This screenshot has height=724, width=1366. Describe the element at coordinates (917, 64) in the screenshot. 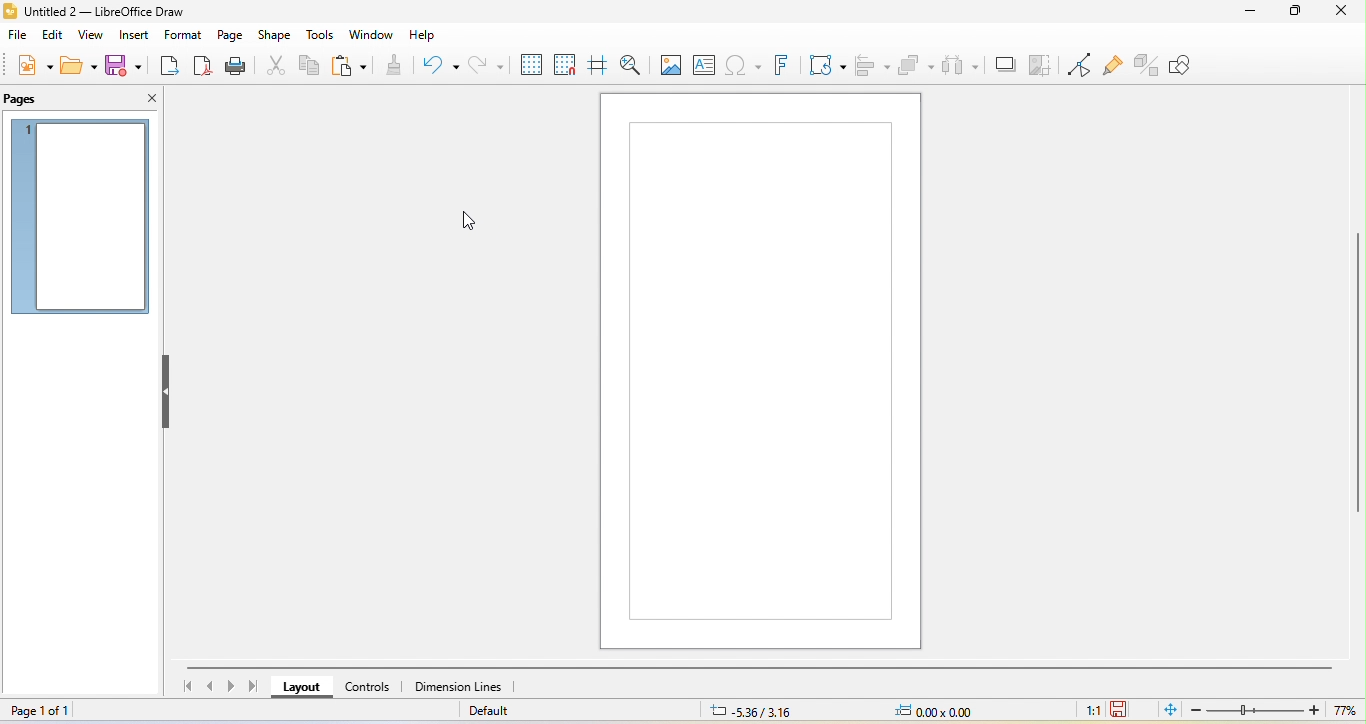

I see `arrange` at that location.